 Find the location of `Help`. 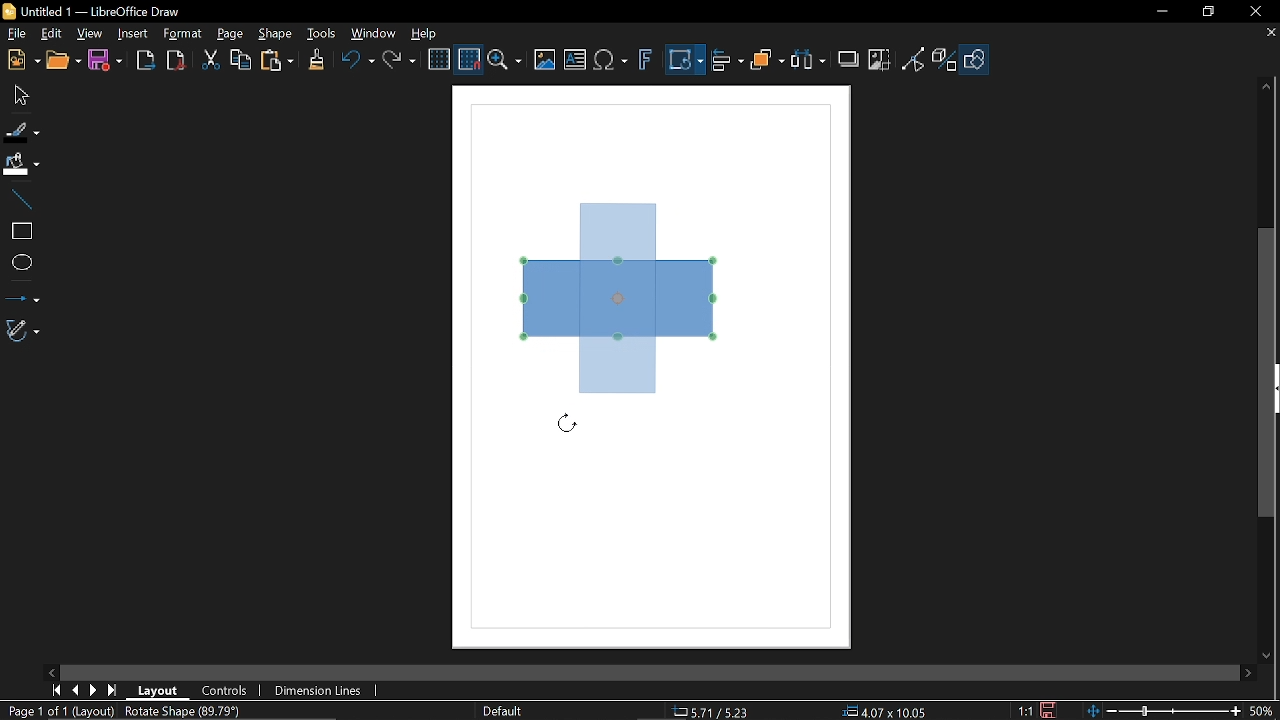

Help is located at coordinates (424, 34).